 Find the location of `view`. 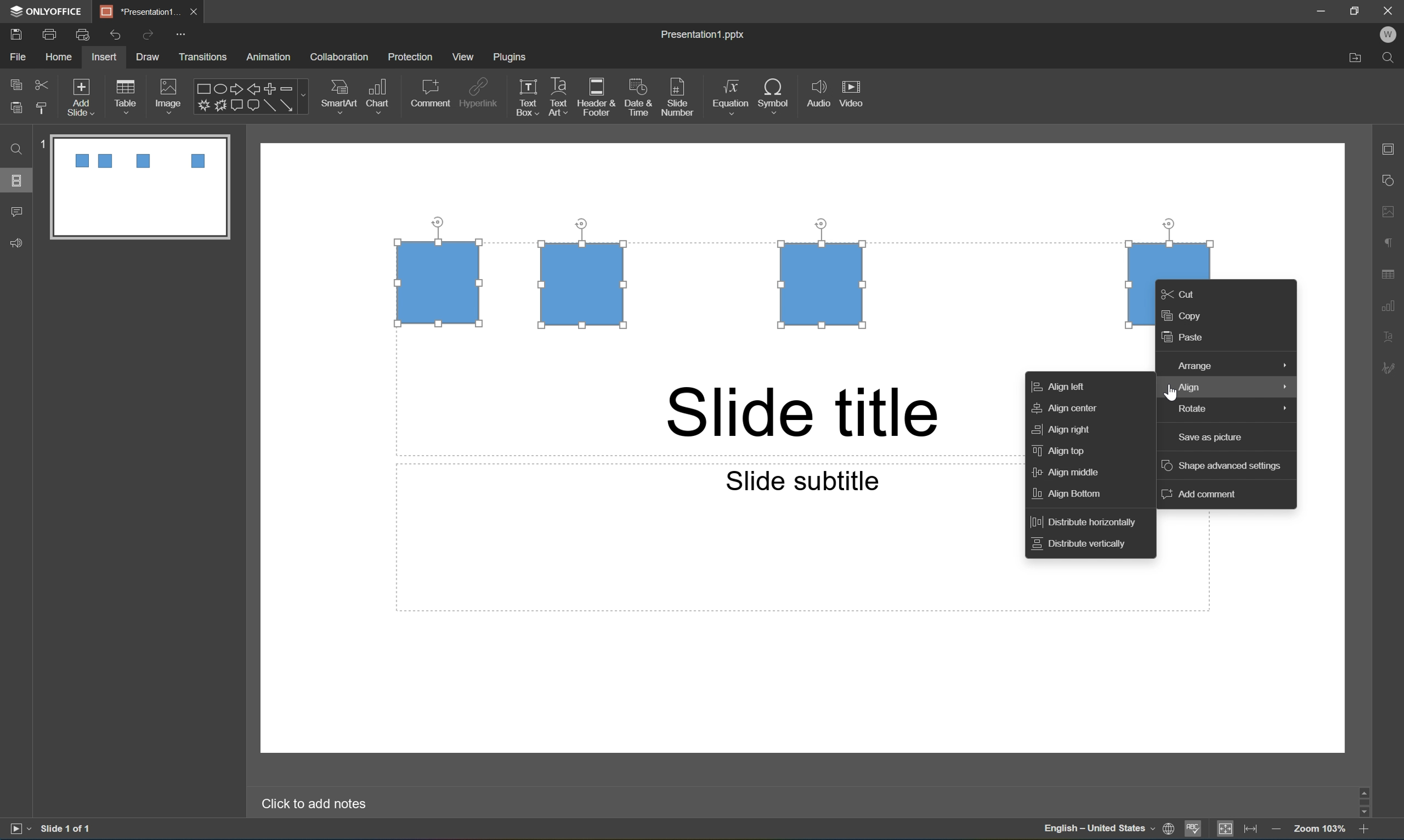

view is located at coordinates (461, 57).